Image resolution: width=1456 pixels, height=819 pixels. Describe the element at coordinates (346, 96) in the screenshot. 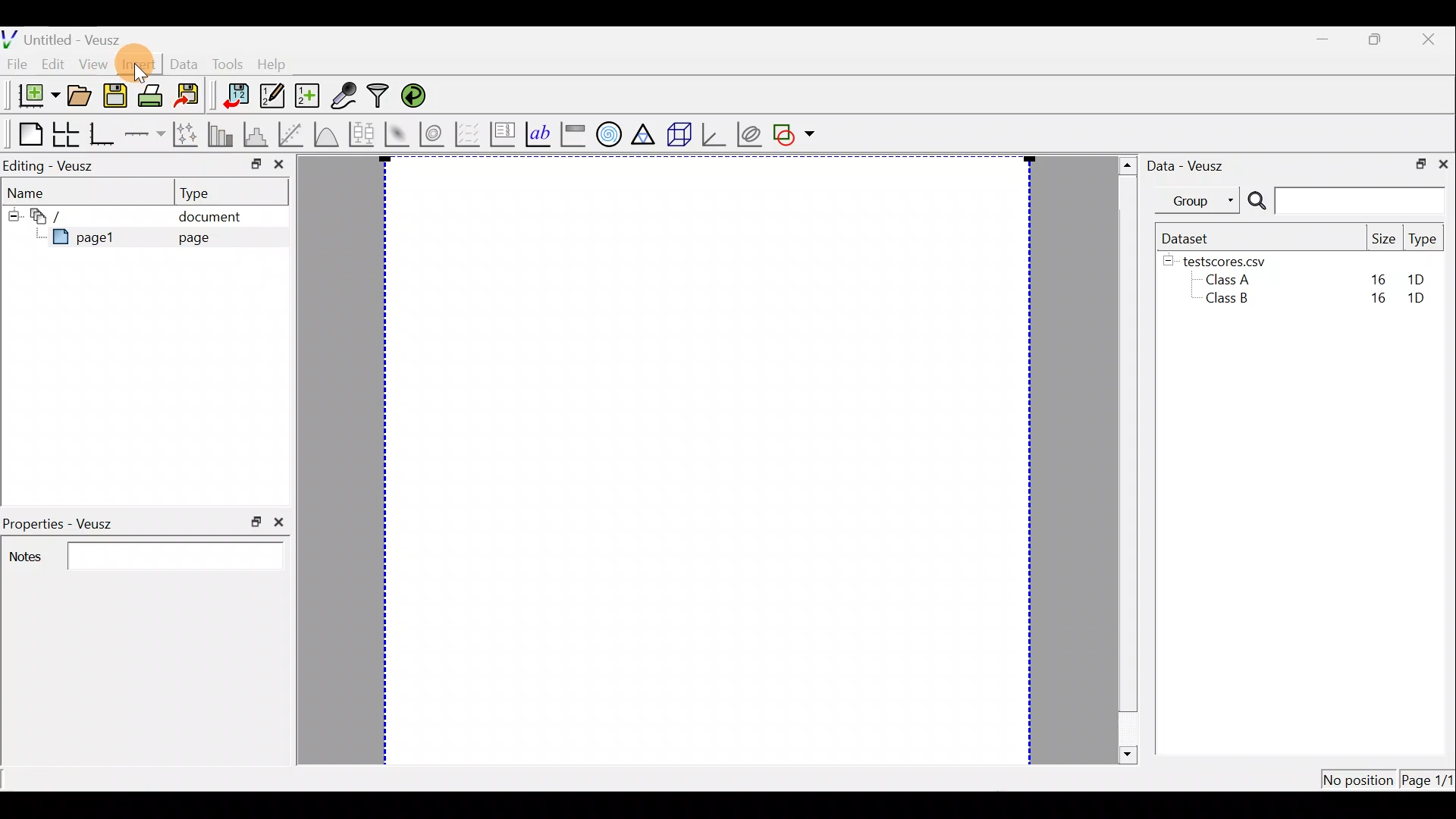

I see `Capture remote data` at that location.